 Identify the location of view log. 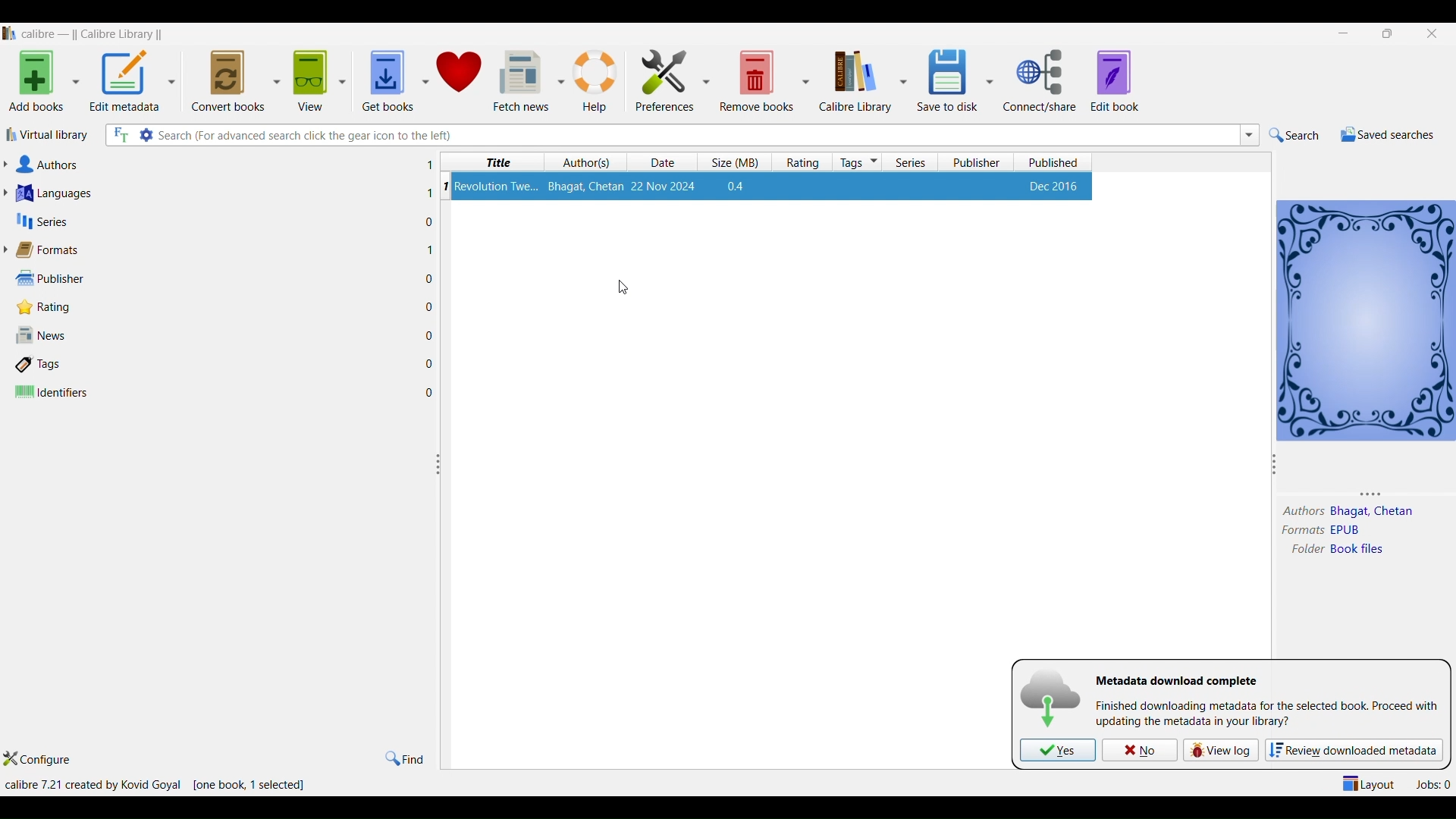
(1222, 750).